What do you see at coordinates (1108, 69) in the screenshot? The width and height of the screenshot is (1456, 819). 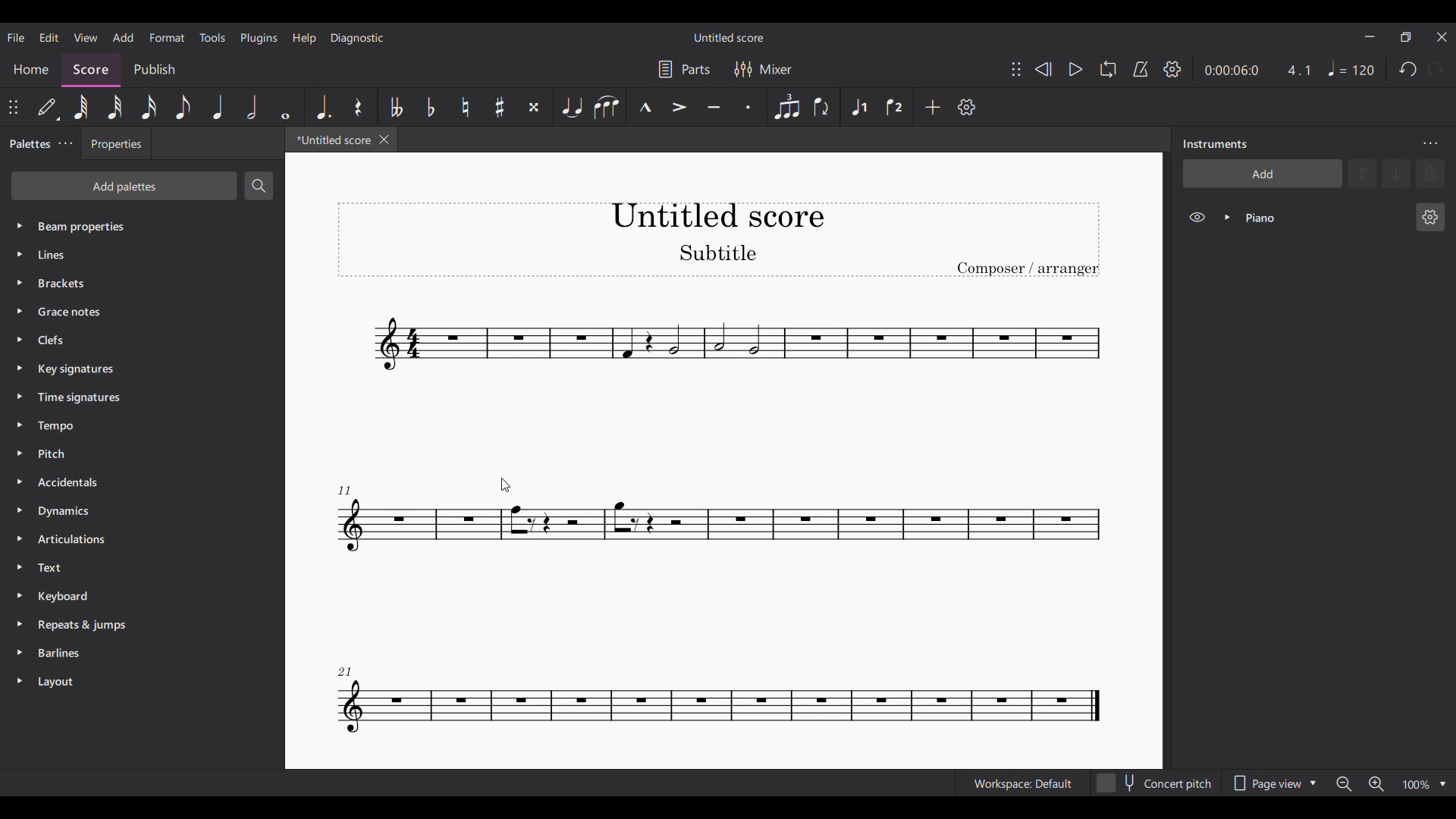 I see `Loop playback` at bounding box center [1108, 69].